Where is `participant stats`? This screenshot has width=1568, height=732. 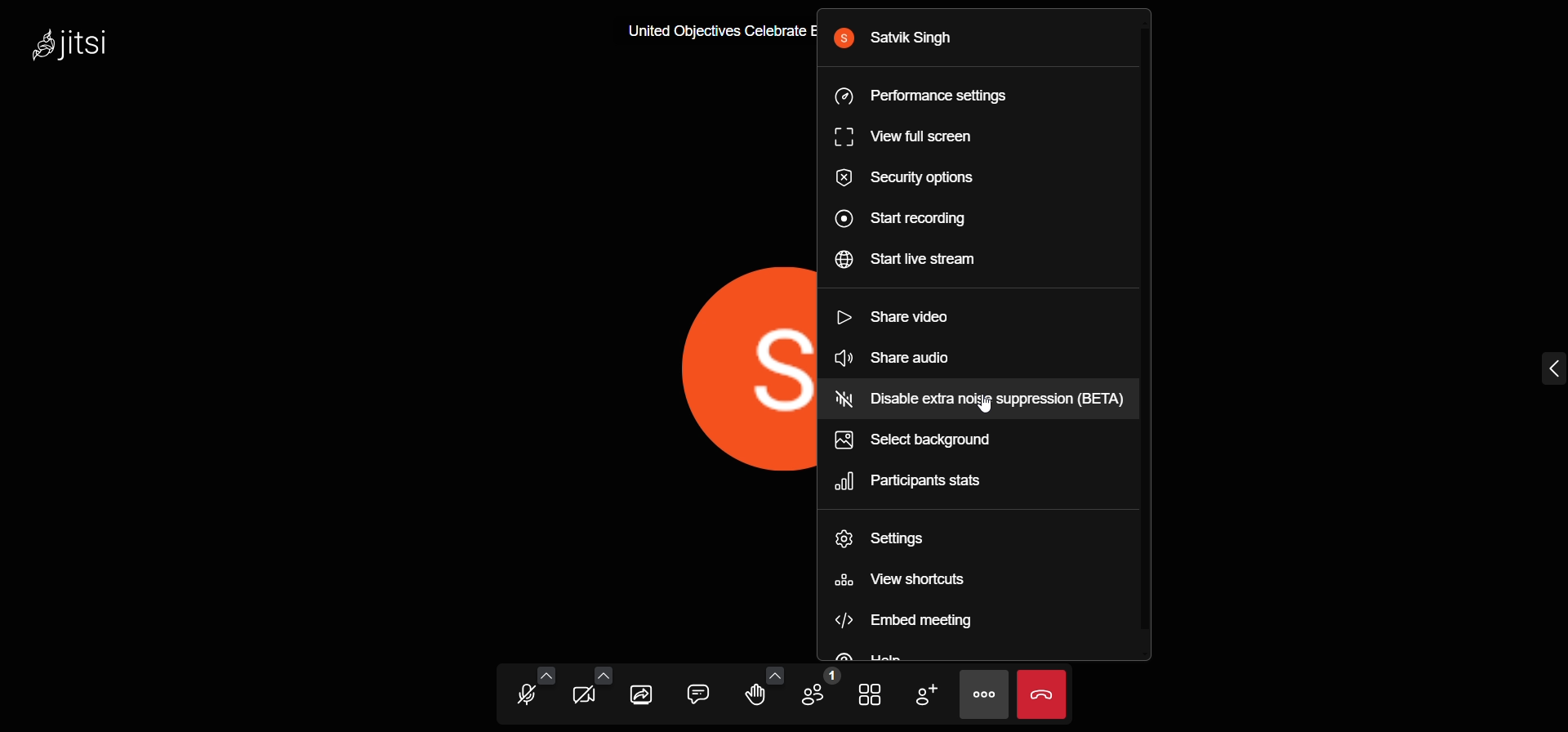 participant stats is located at coordinates (913, 482).